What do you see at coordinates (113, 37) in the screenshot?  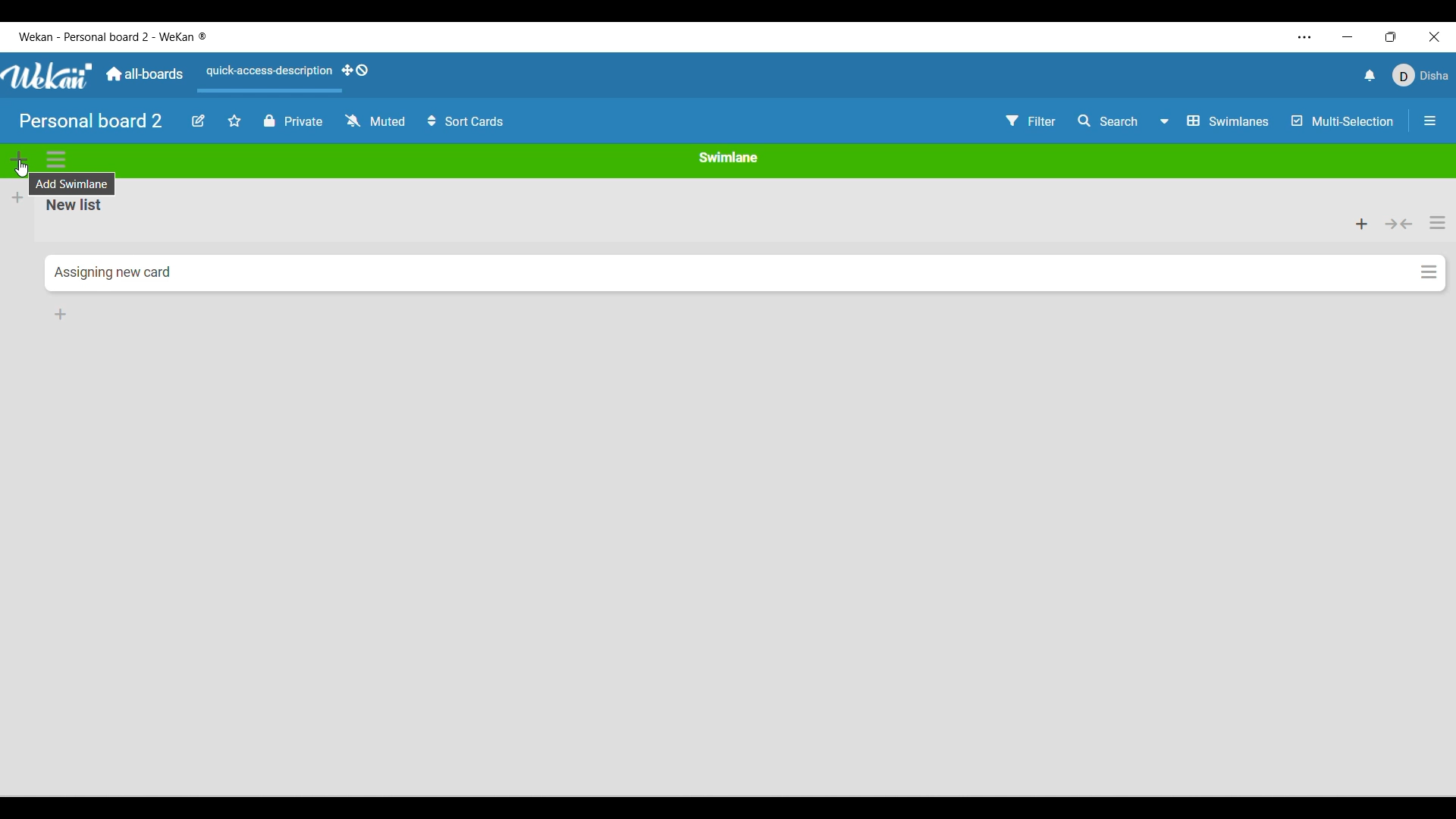 I see `Software and board logo` at bounding box center [113, 37].